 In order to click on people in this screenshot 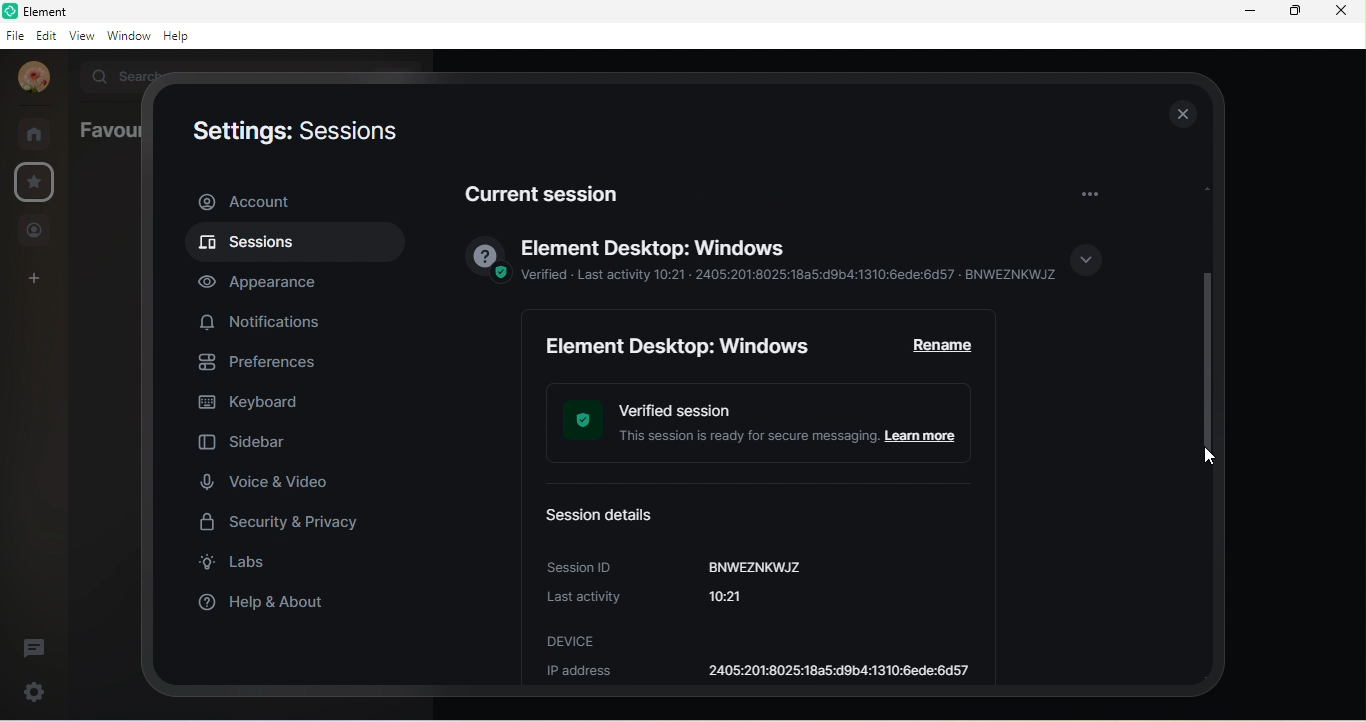, I will do `click(35, 232)`.